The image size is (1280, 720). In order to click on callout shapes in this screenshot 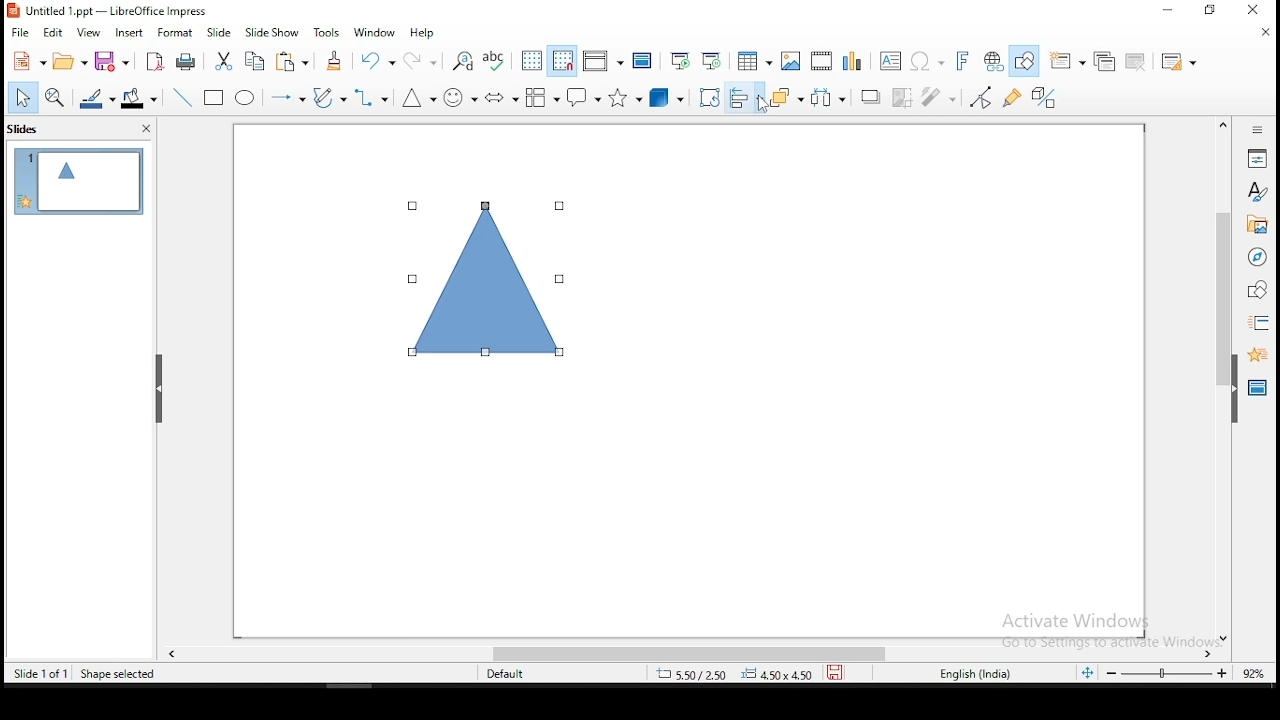, I will do `click(582, 98)`.